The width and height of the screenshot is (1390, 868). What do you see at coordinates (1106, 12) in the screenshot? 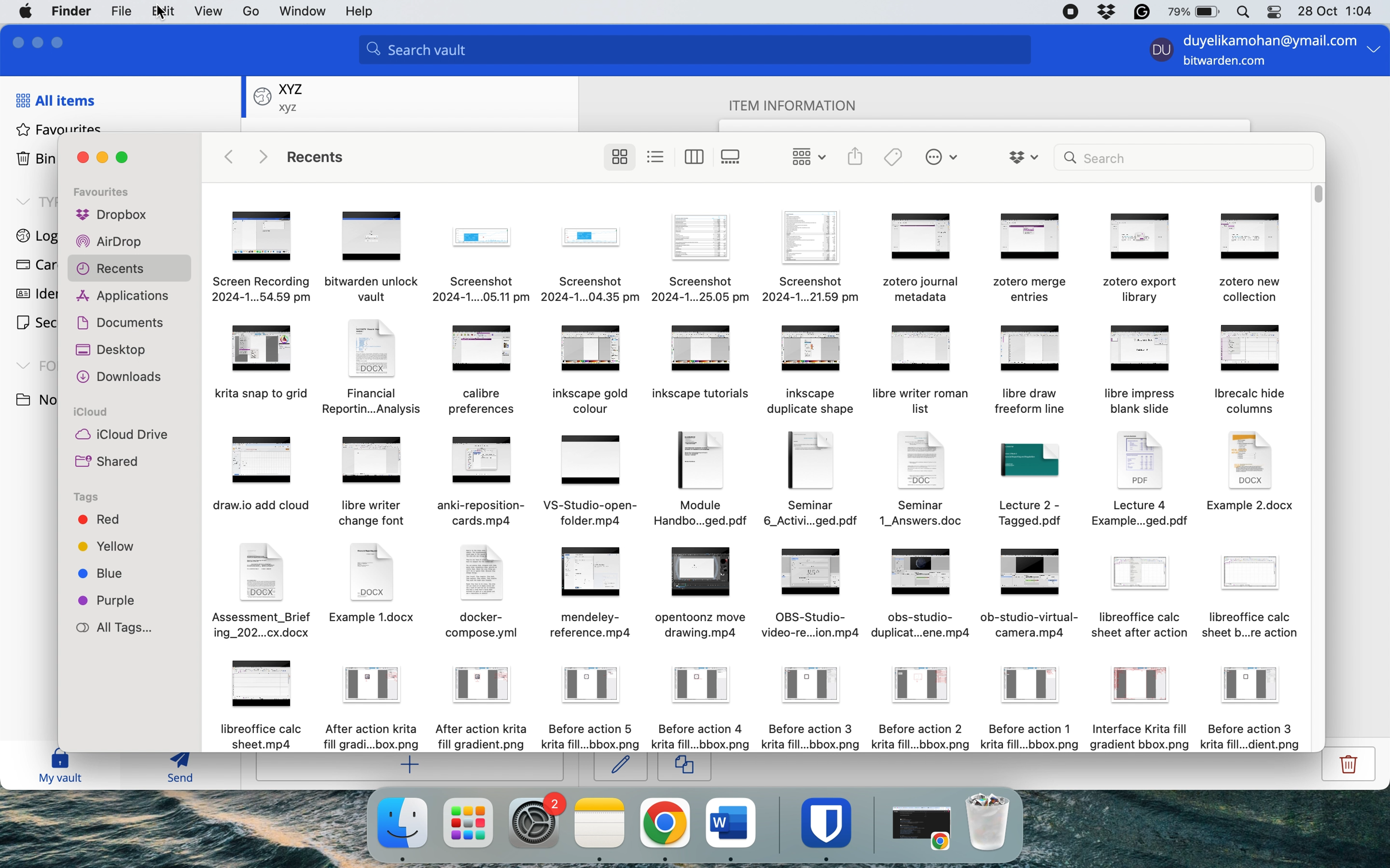
I see `dropbox` at bounding box center [1106, 12].